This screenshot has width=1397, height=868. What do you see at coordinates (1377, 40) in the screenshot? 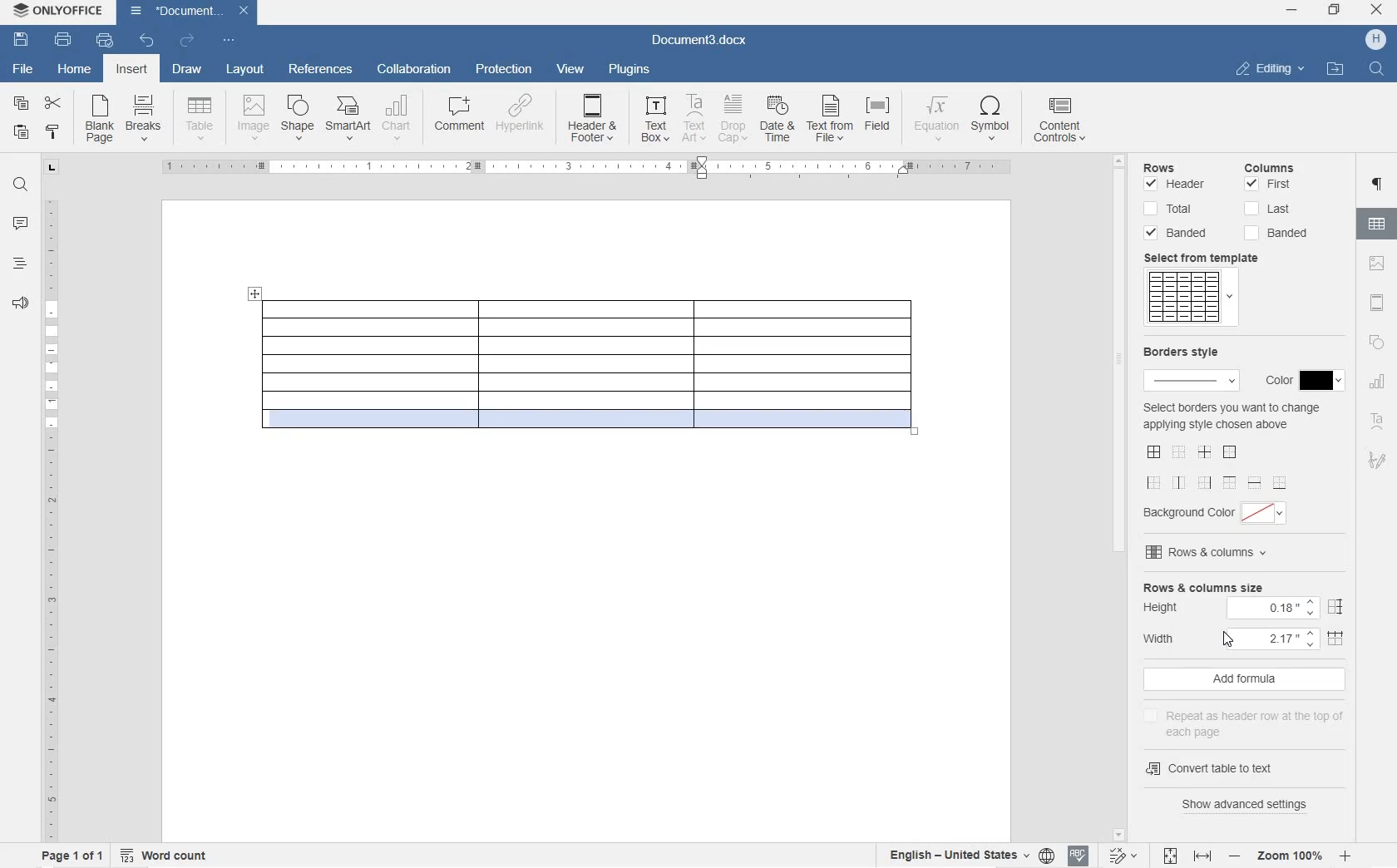
I see `HP` at bounding box center [1377, 40].